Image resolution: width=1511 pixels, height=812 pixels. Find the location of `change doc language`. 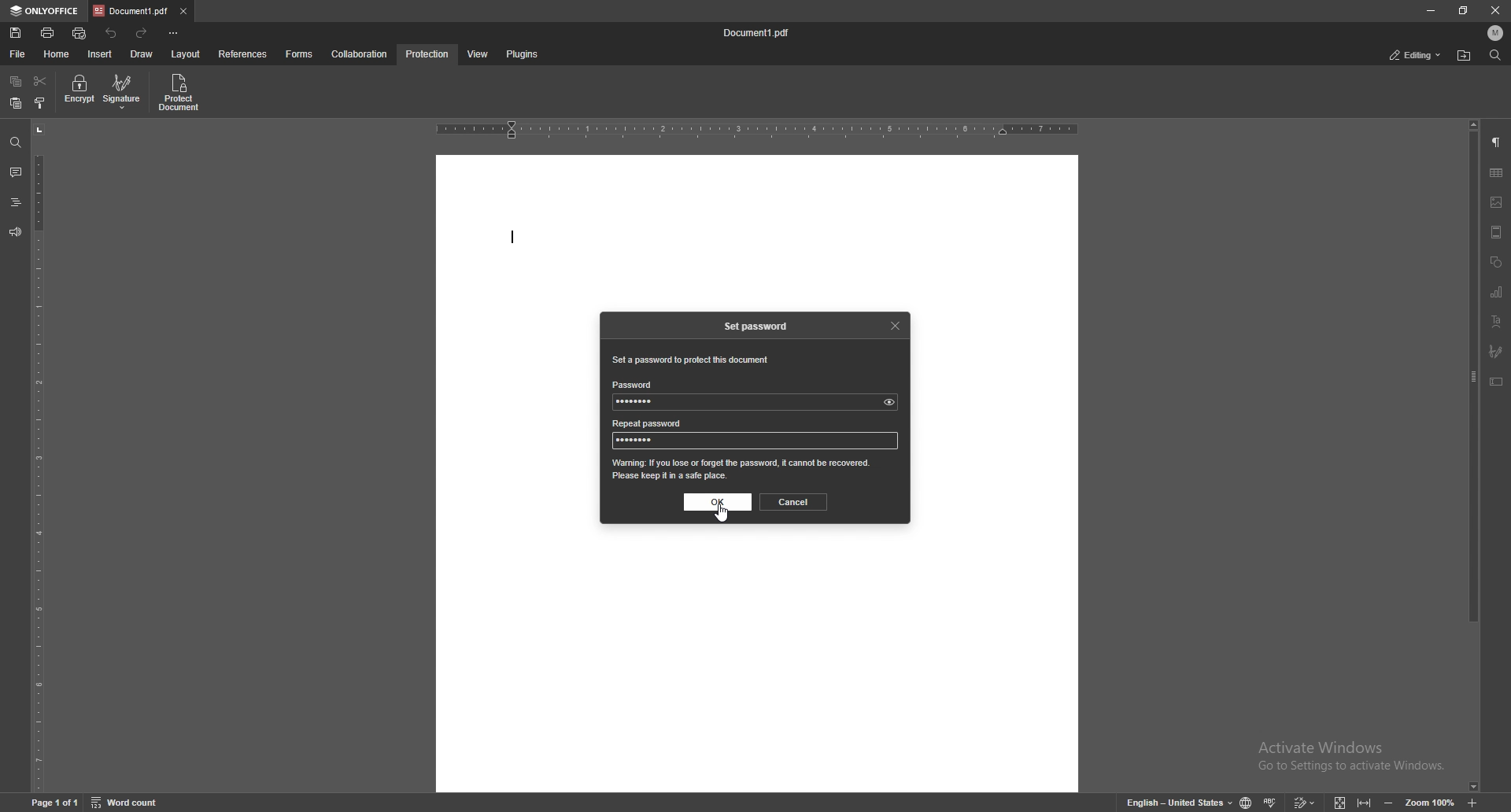

change doc language is located at coordinates (1247, 802).